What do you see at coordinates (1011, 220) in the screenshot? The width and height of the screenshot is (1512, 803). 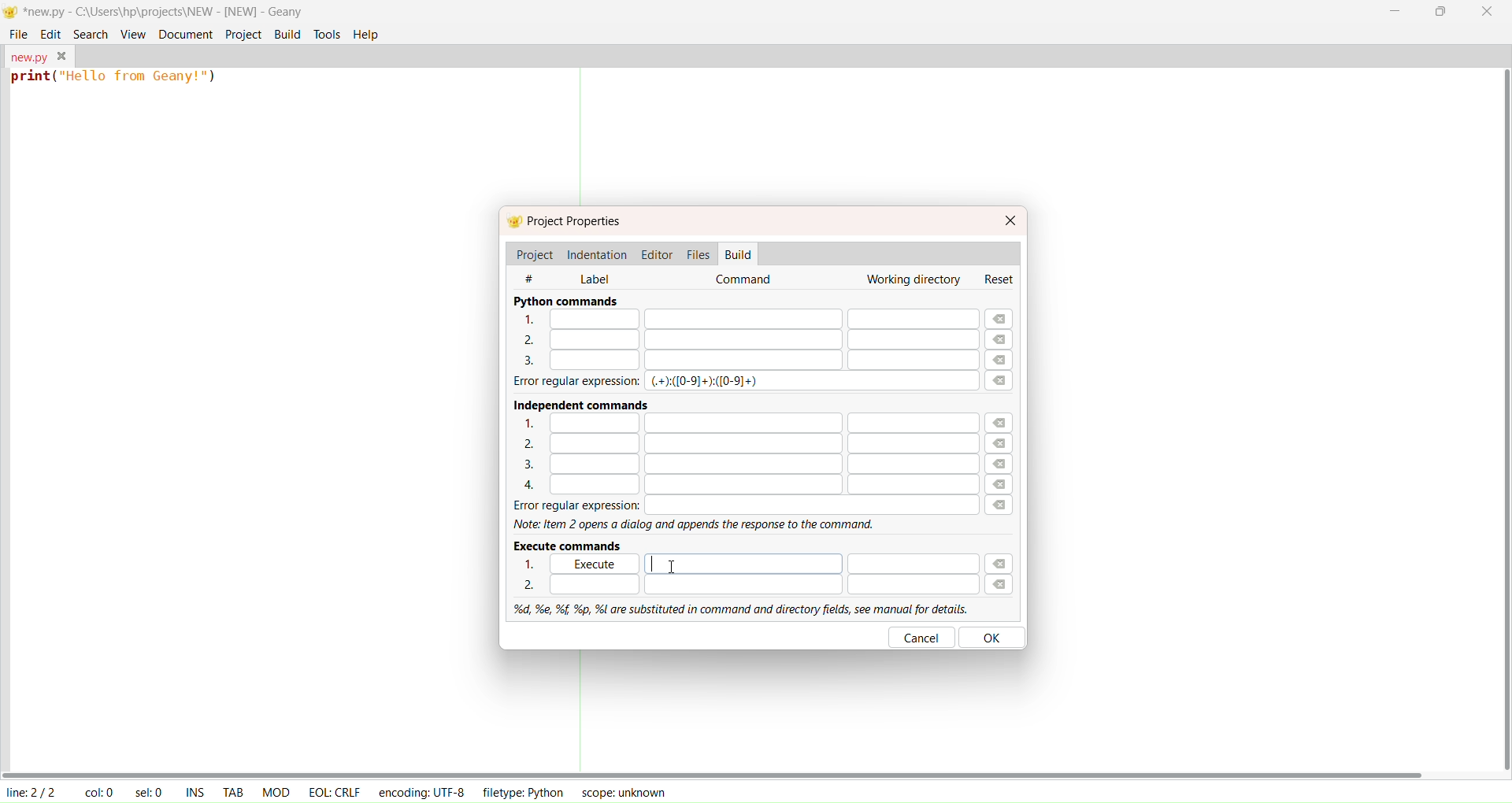 I see `close dialog` at bounding box center [1011, 220].